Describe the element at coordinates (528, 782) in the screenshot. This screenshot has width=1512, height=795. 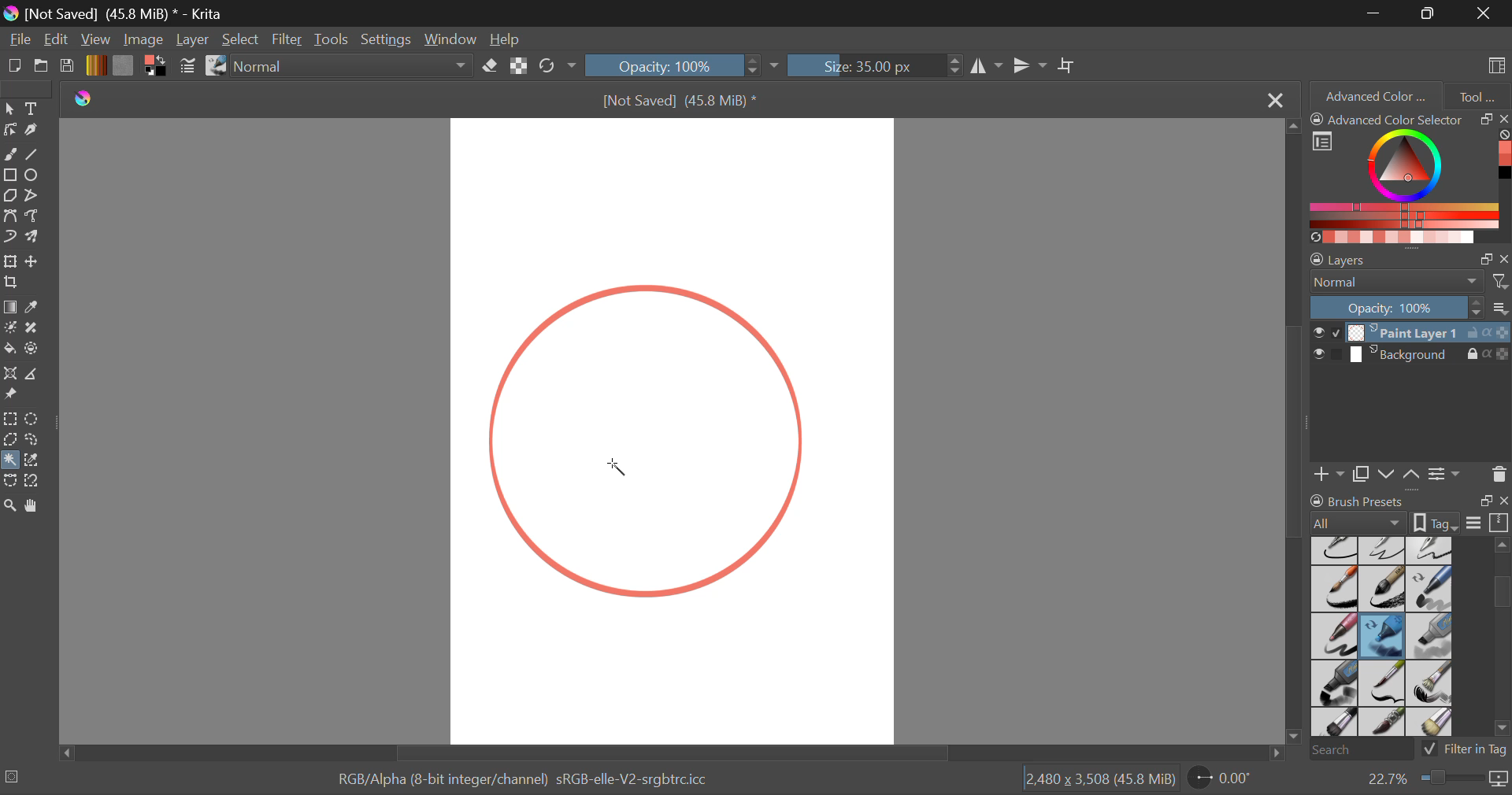
I see `Color Display Info` at that location.